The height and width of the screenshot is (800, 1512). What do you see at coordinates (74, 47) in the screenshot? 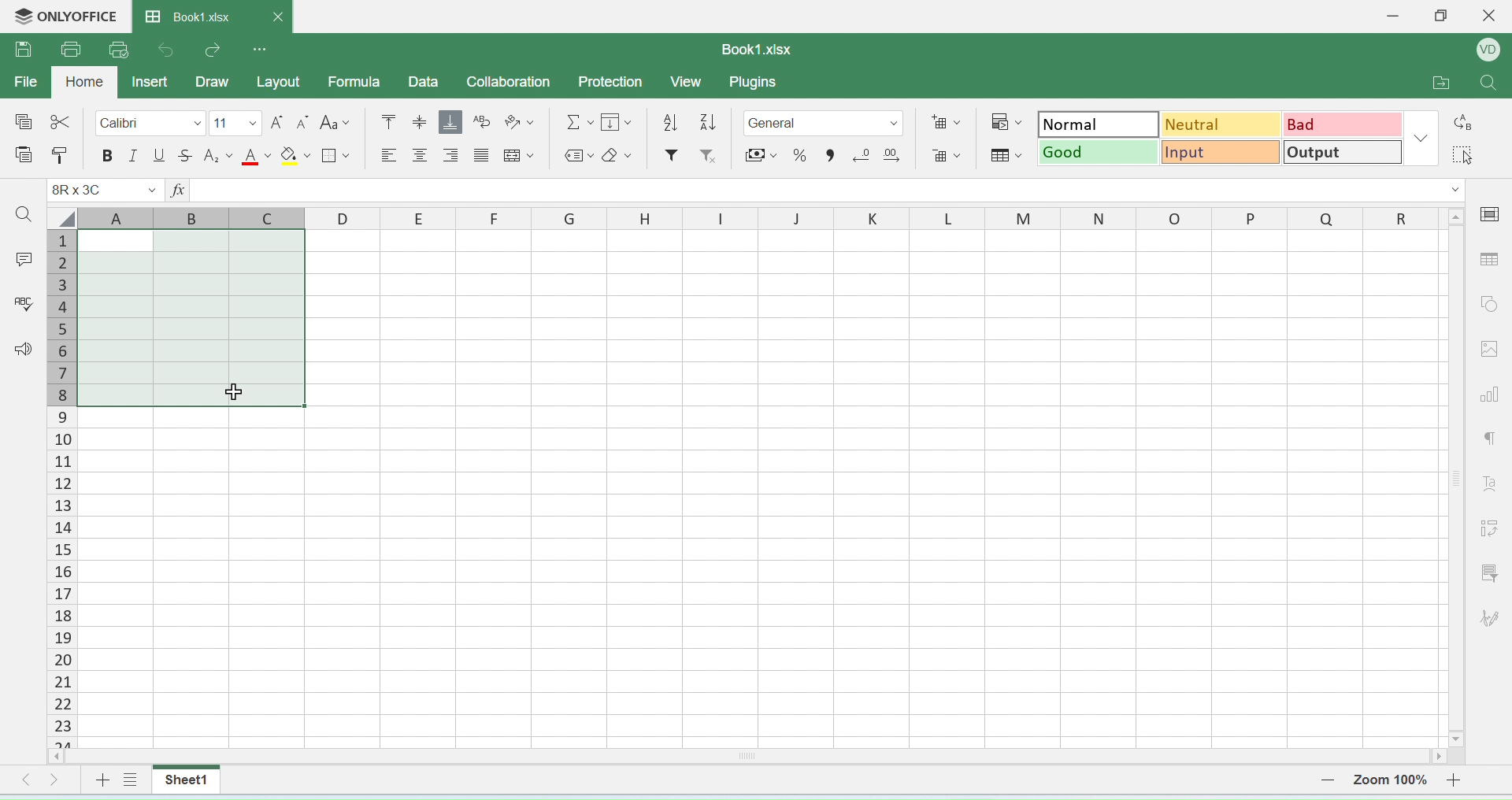
I see `print` at bounding box center [74, 47].